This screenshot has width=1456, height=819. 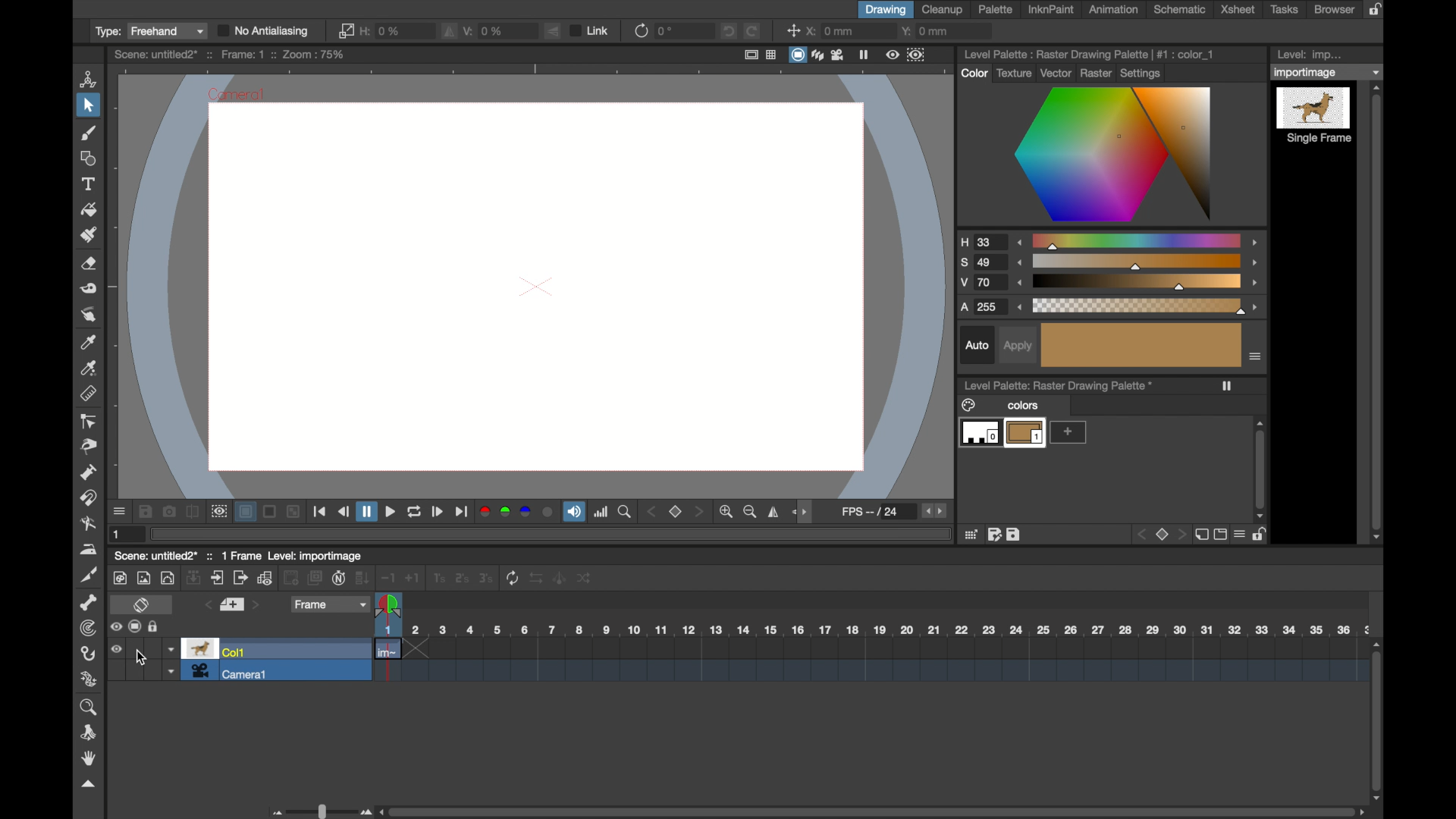 I want to click on animation, so click(x=1115, y=10).